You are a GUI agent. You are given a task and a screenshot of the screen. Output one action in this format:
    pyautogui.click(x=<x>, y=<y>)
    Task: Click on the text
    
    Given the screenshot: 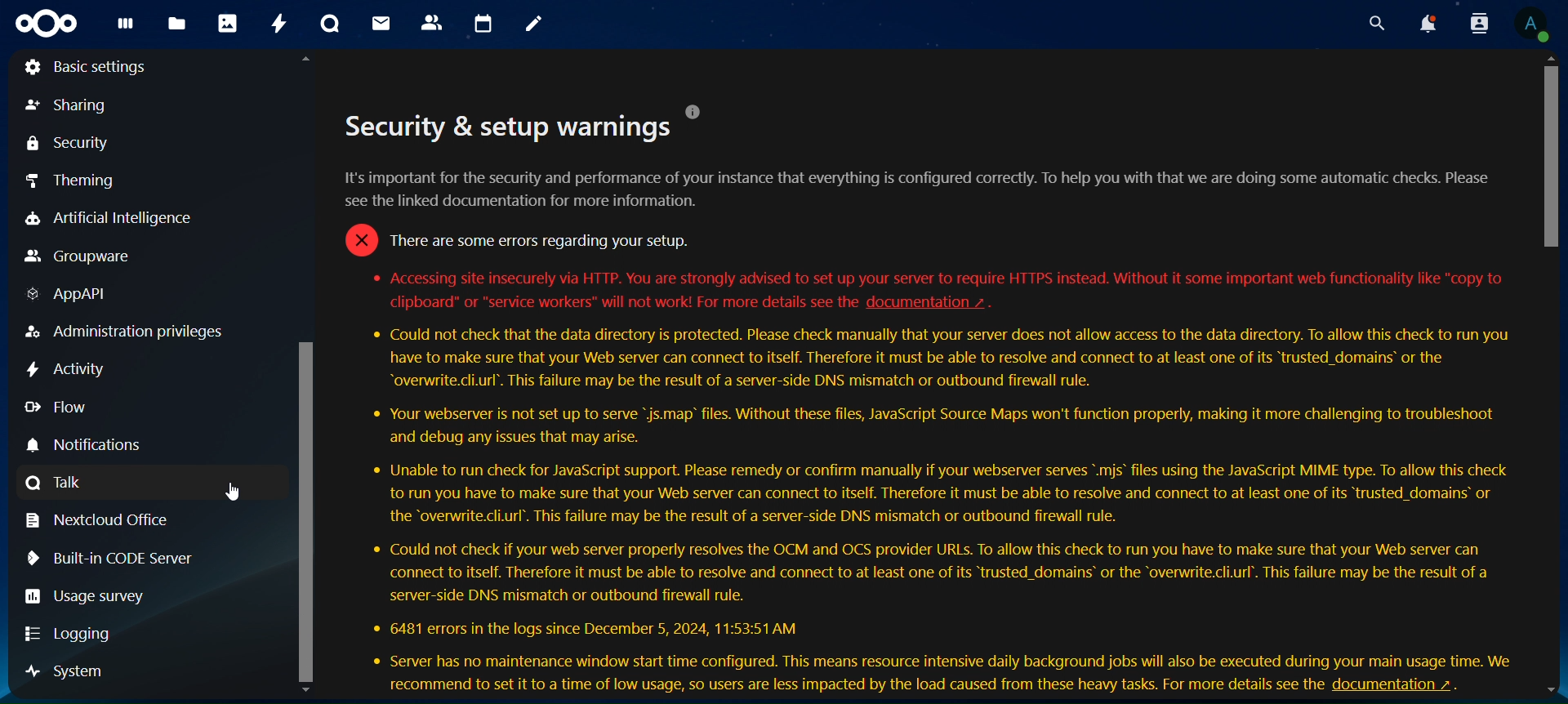 What is the action you would take?
    pyautogui.click(x=927, y=495)
    